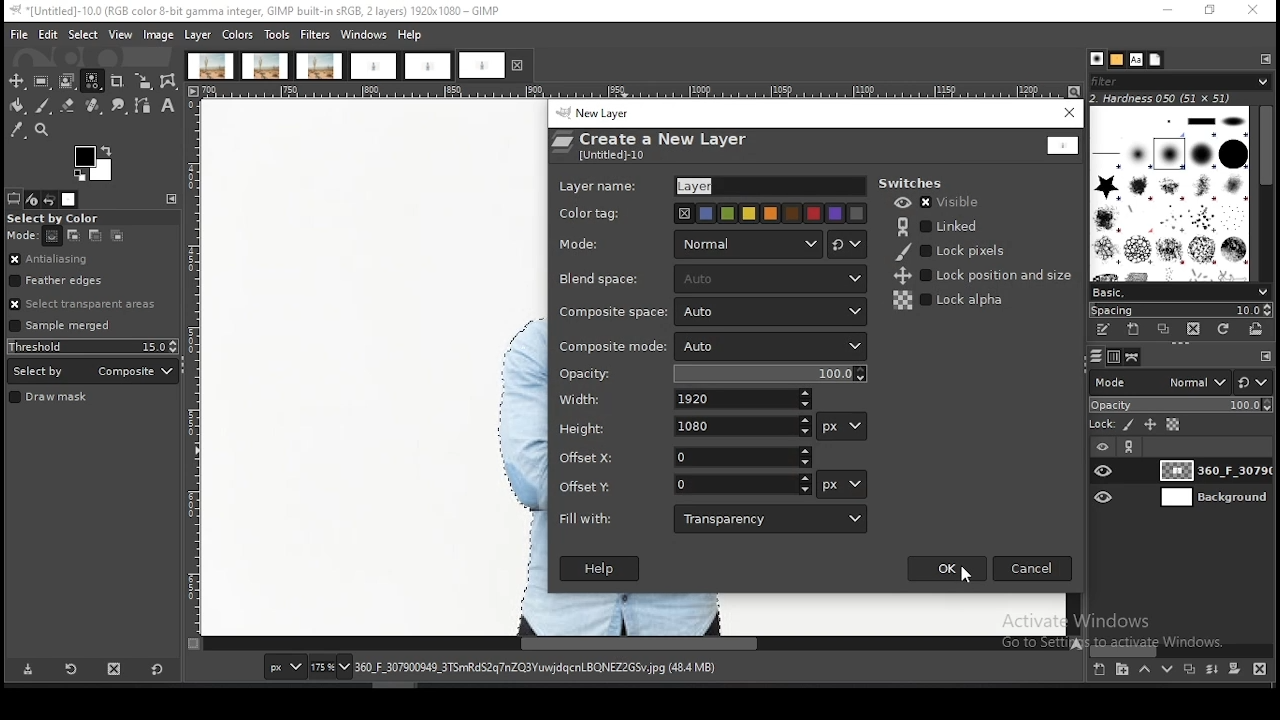 The height and width of the screenshot is (720, 1280). What do you see at coordinates (1173, 425) in the screenshot?
I see `lock alpha channel` at bounding box center [1173, 425].